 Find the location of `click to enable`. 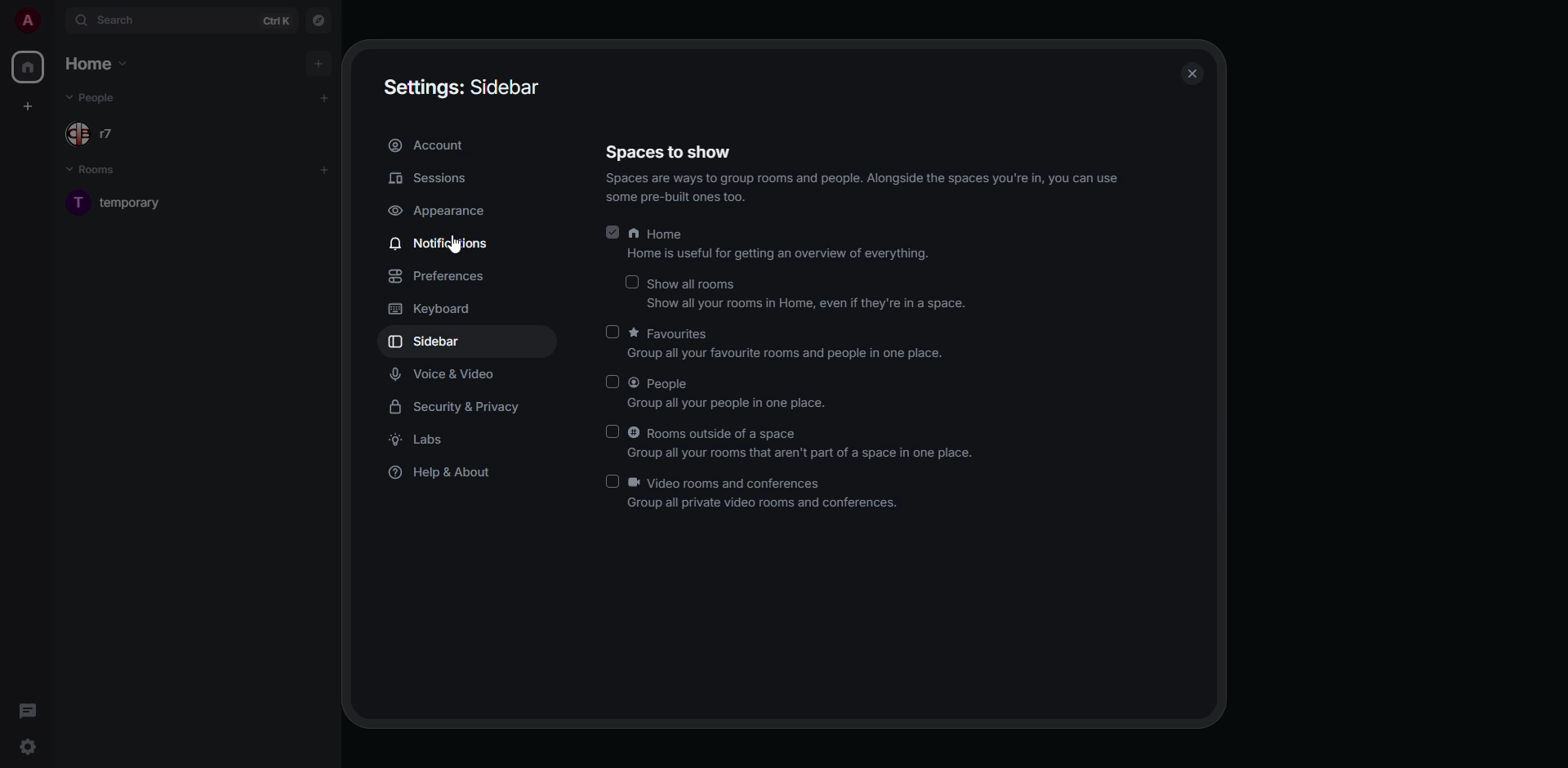

click to enable is located at coordinates (634, 283).